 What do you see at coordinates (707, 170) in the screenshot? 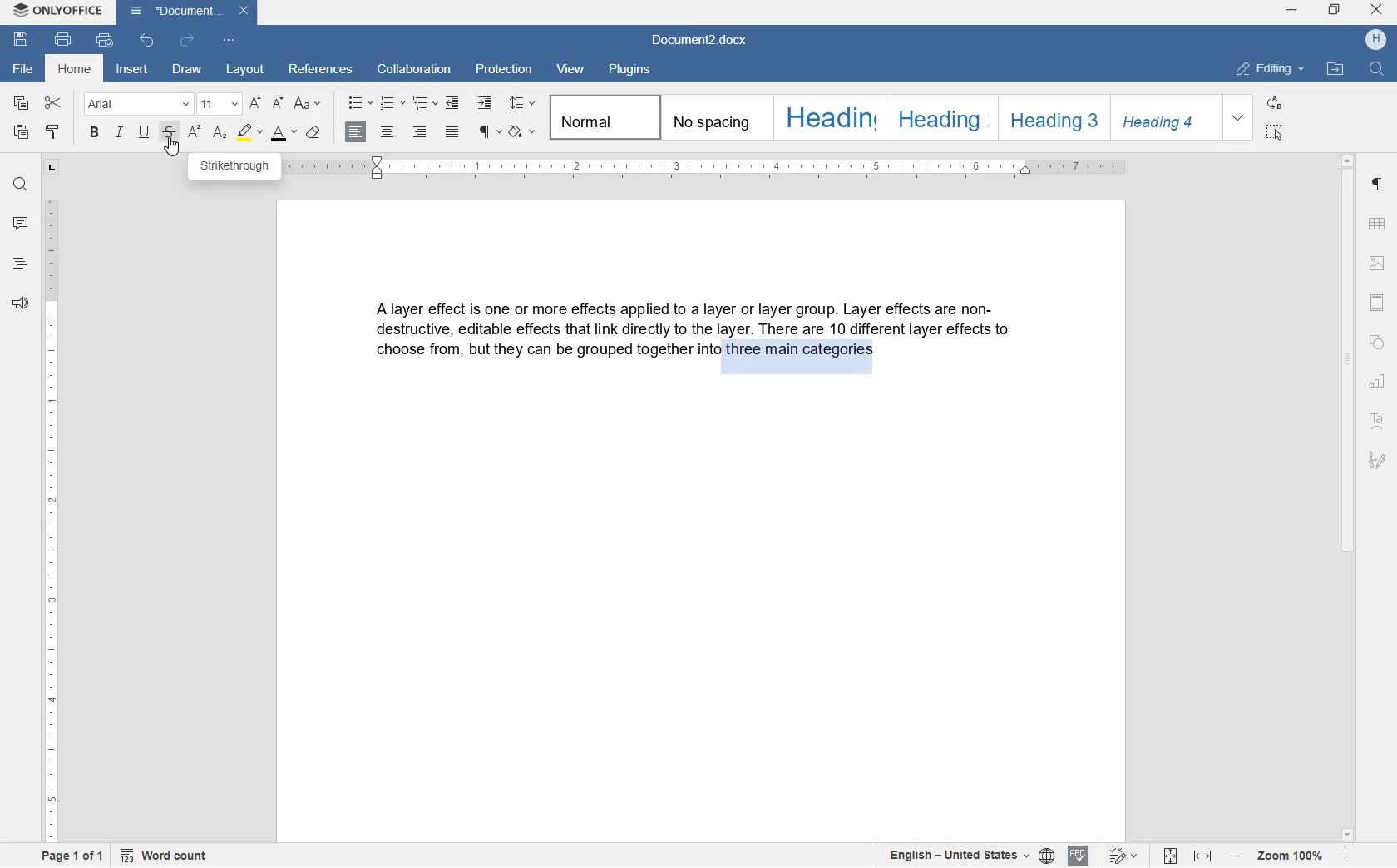
I see `ruler` at bounding box center [707, 170].